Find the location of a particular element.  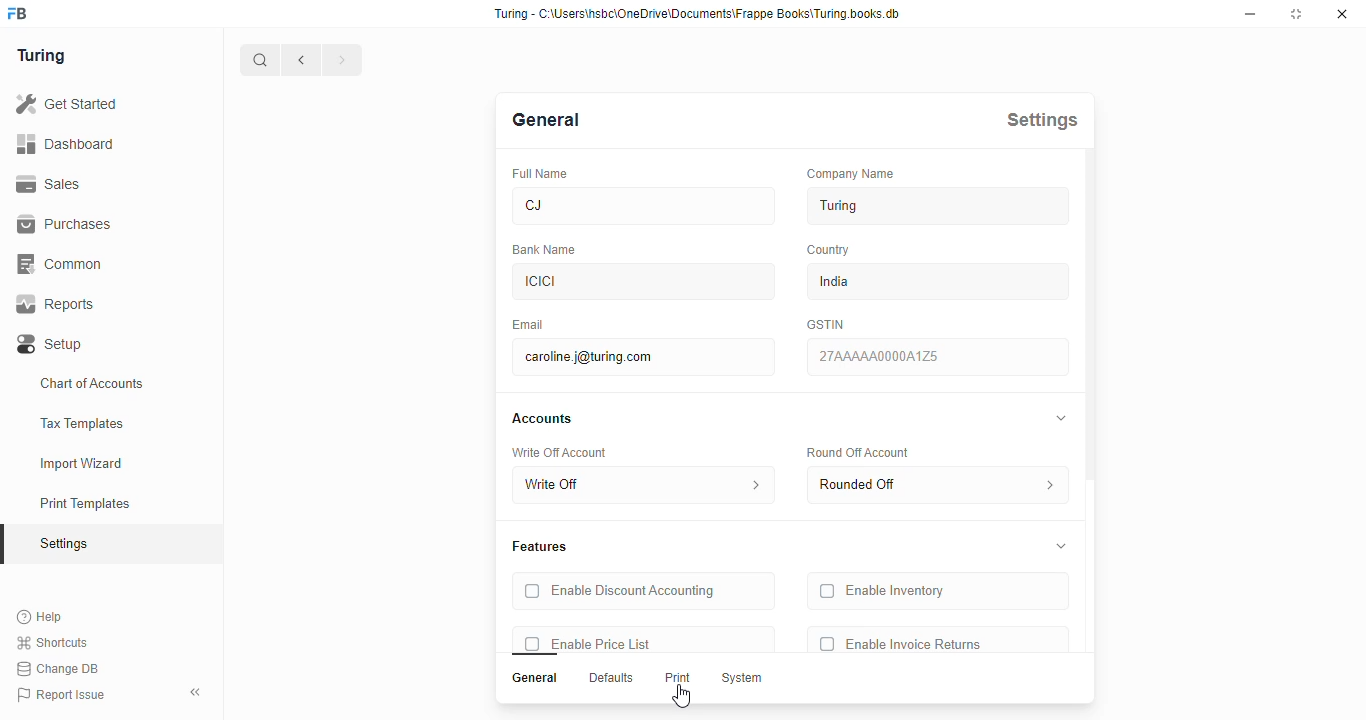

Print is located at coordinates (678, 677).